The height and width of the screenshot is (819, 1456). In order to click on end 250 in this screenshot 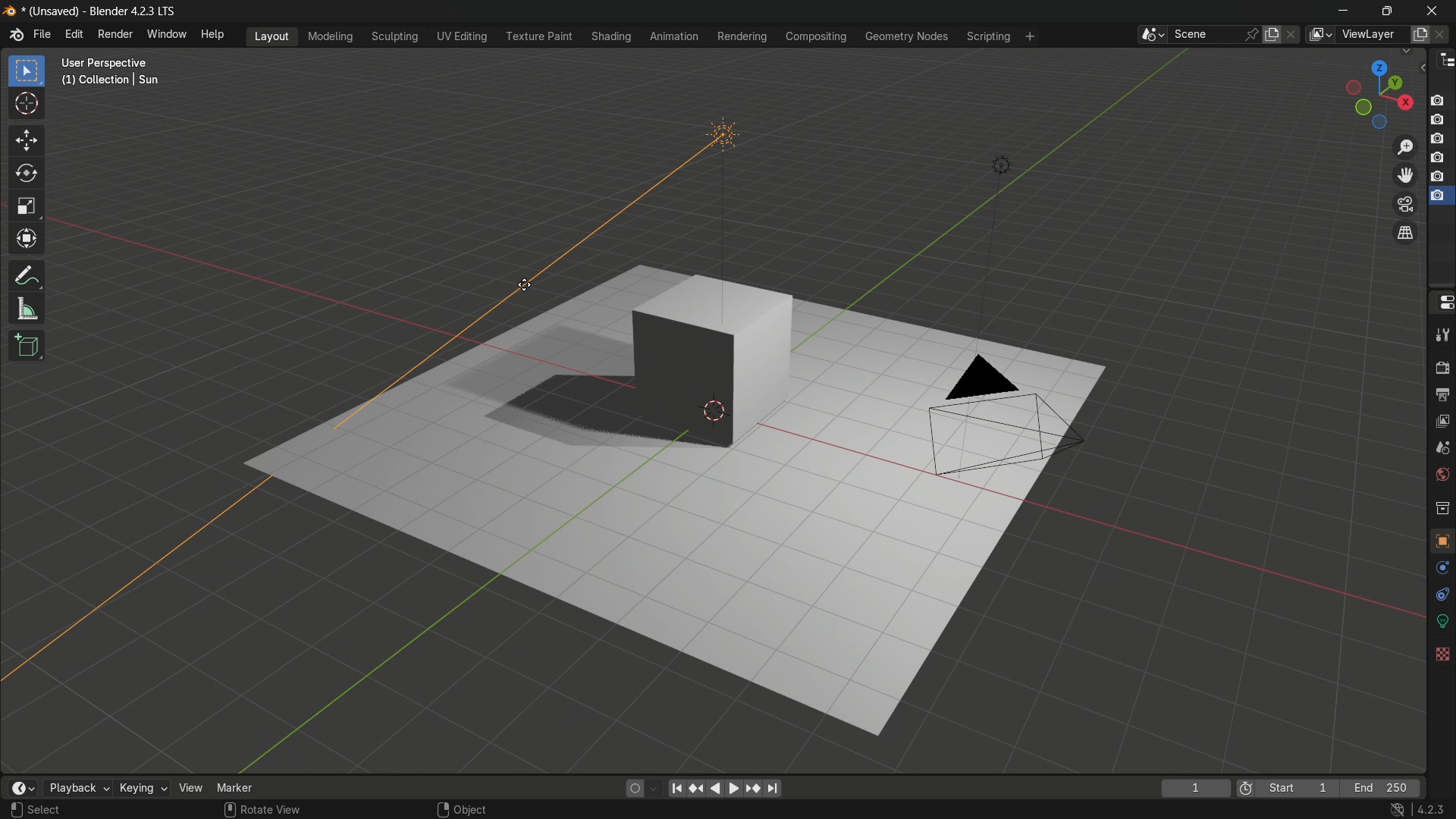, I will do `click(1385, 787)`.